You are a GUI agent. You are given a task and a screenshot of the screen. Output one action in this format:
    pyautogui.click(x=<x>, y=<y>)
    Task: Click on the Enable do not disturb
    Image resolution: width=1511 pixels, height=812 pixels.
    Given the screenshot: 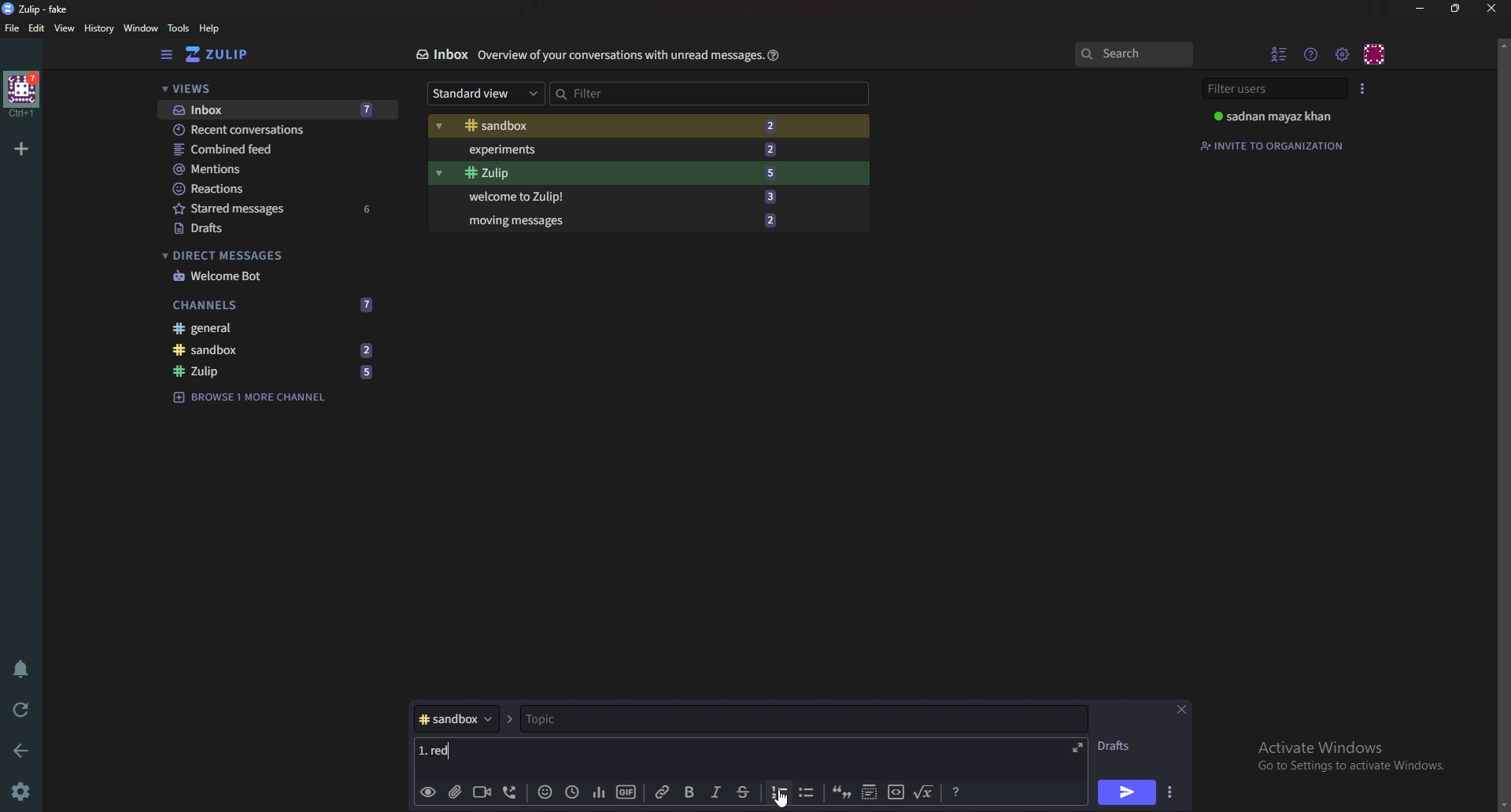 What is the action you would take?
    pyautogui.click(x=19, y=670)
    